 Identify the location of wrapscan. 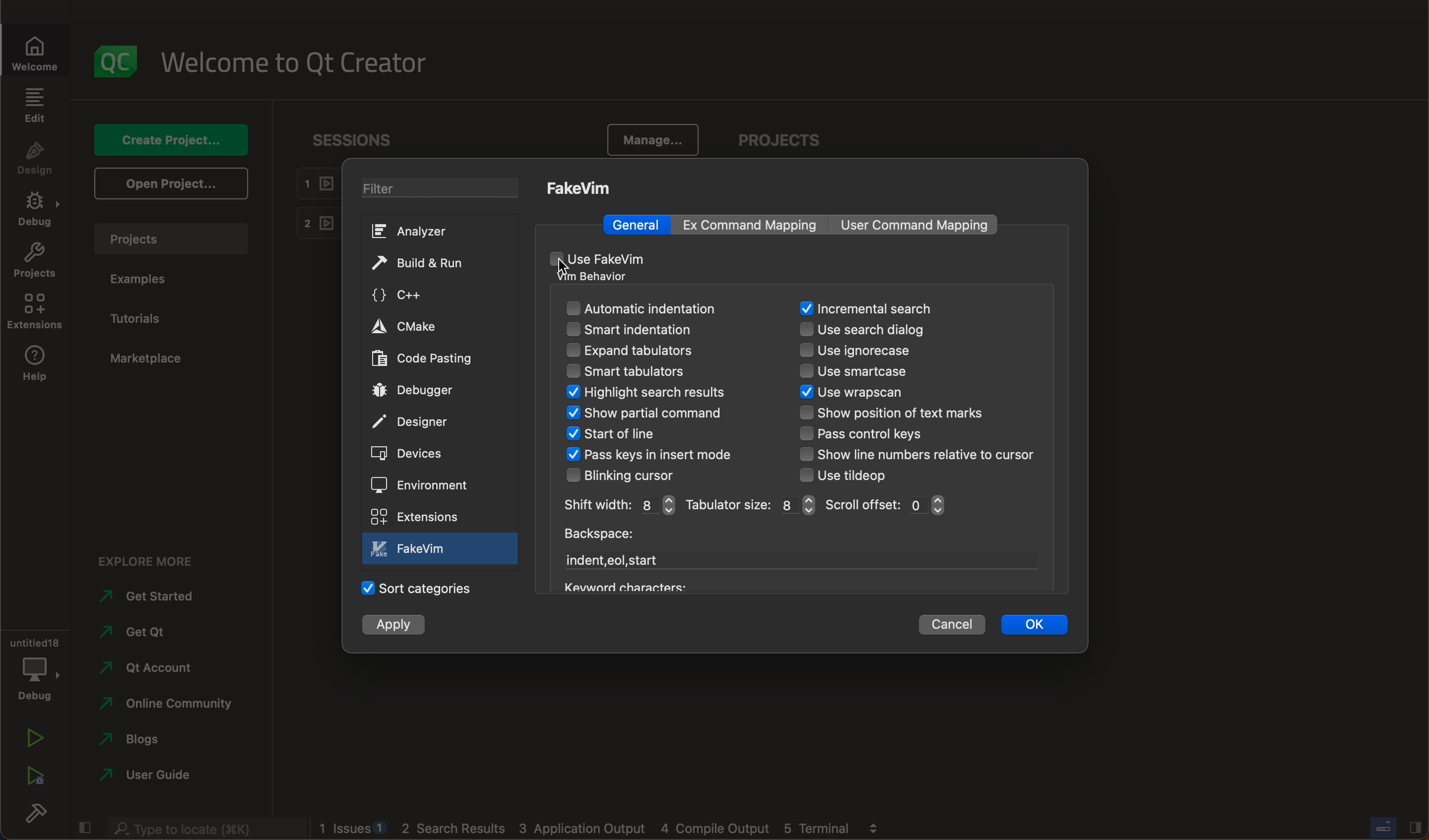
(874, 393).